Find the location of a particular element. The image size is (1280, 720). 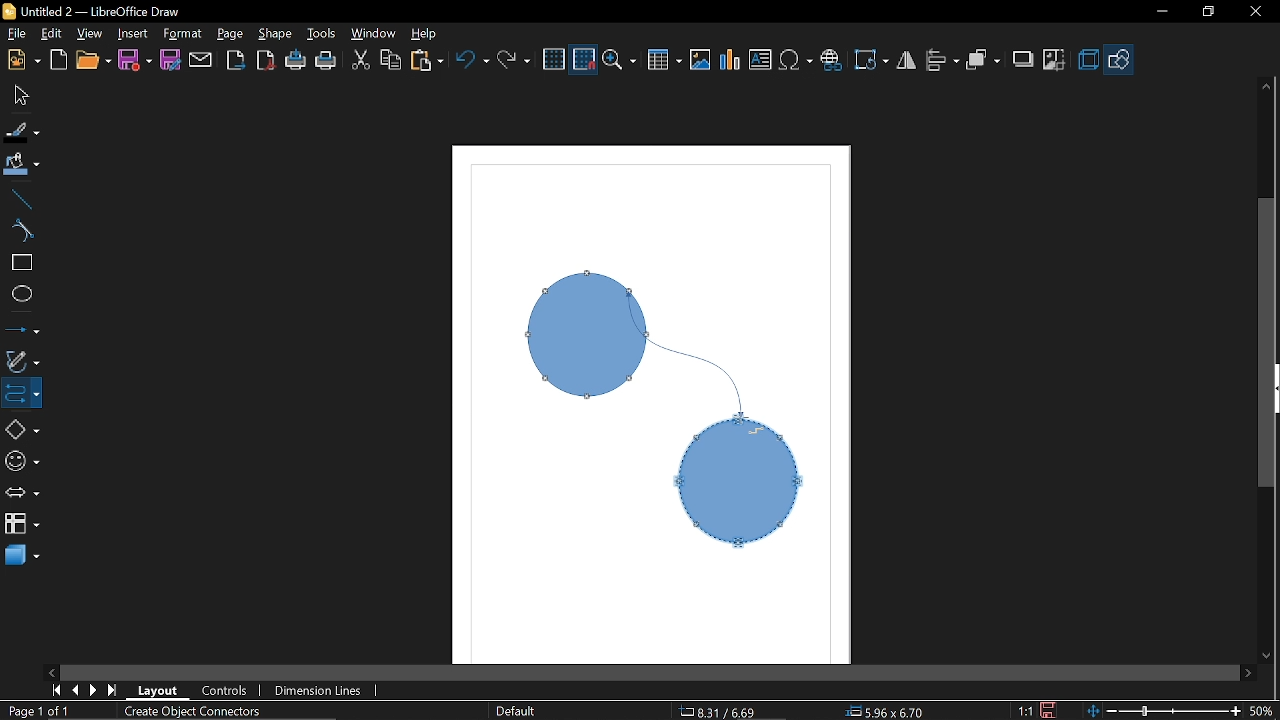

Filp is located at coordinates (907, 63).